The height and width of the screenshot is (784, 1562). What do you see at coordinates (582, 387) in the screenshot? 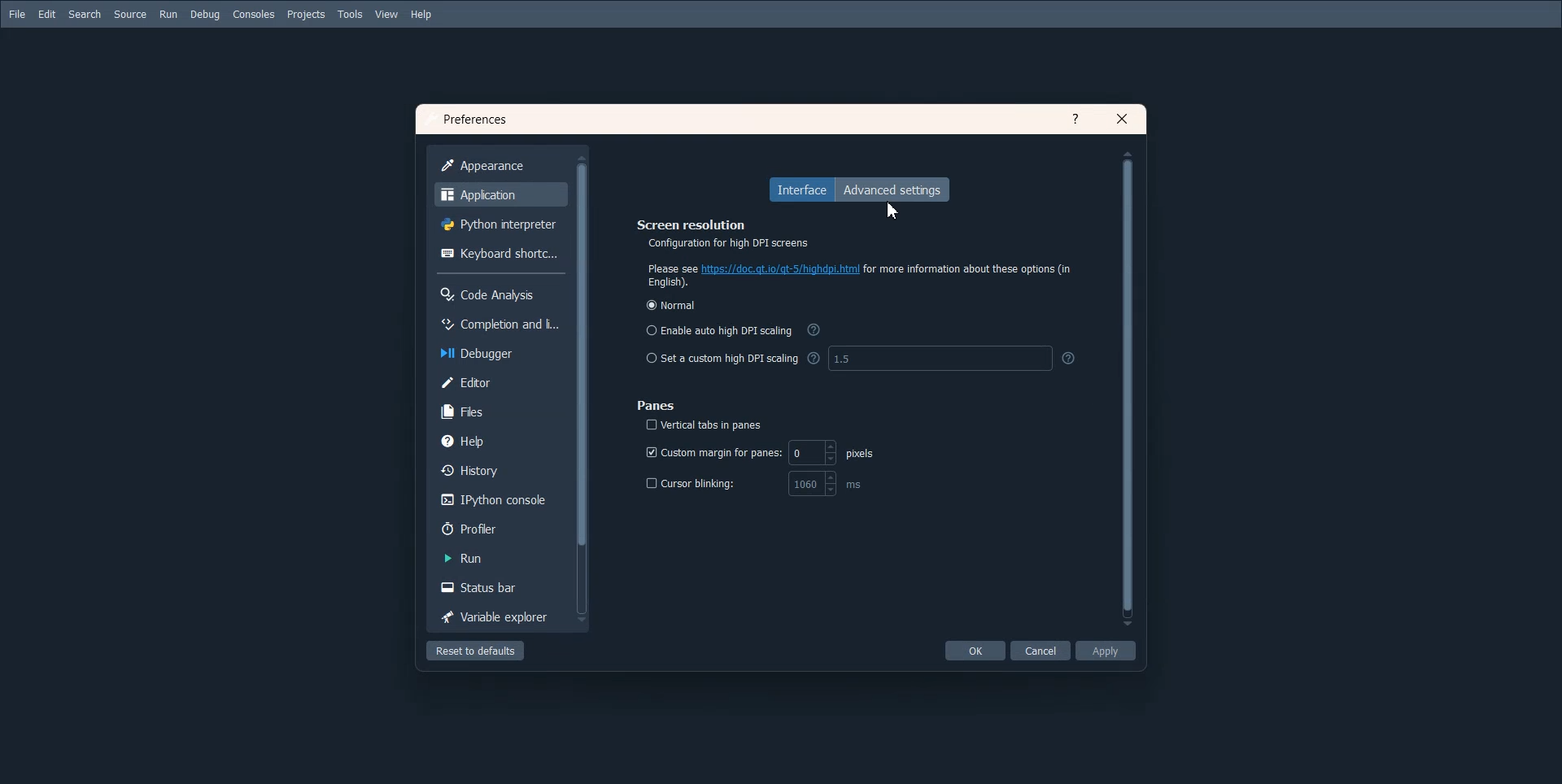
I see `Vertical scroll bar` at bounding box center [582, 387].